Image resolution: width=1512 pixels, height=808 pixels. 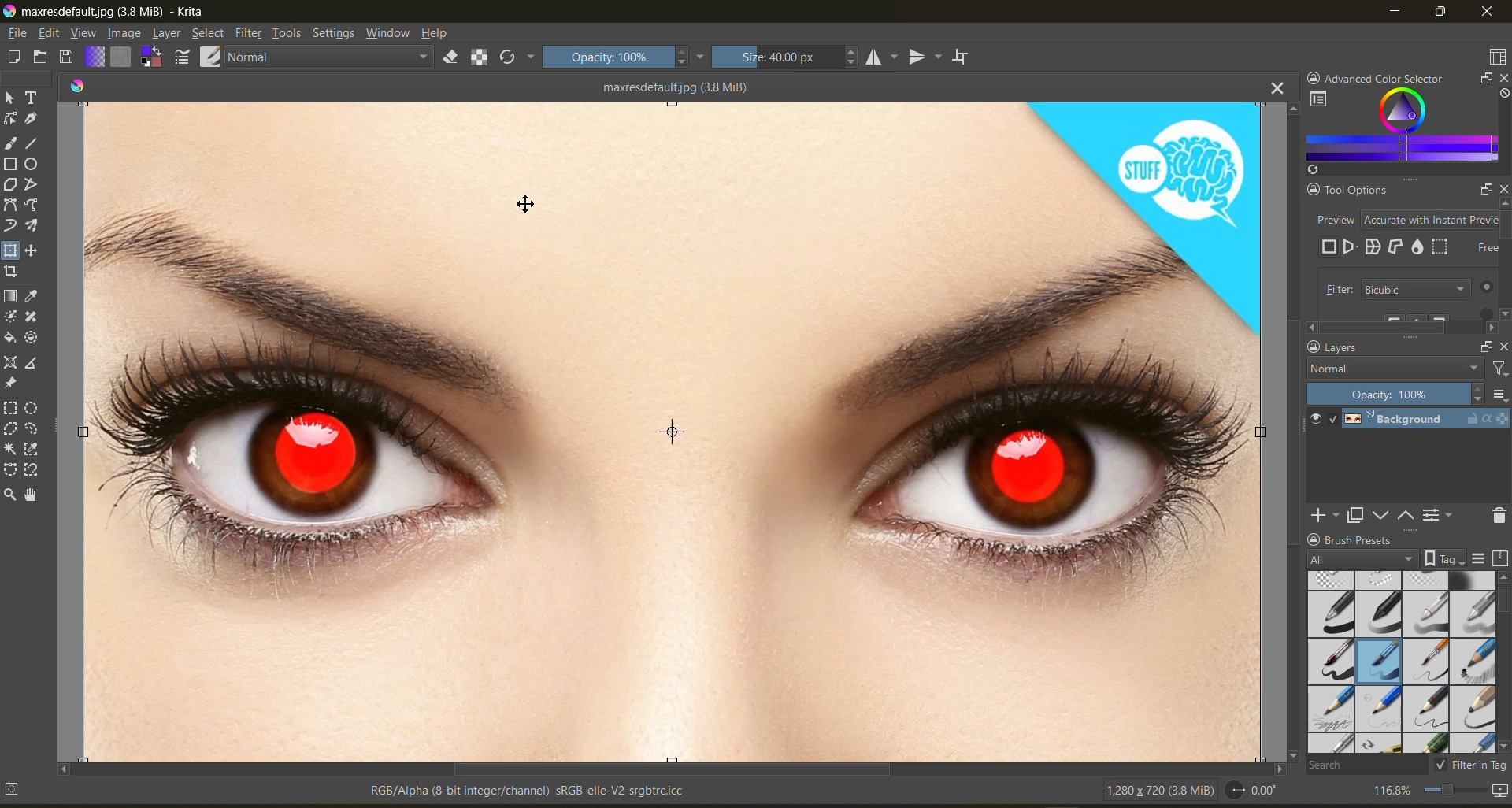 I want to click on window, so click(x=391, y=35).